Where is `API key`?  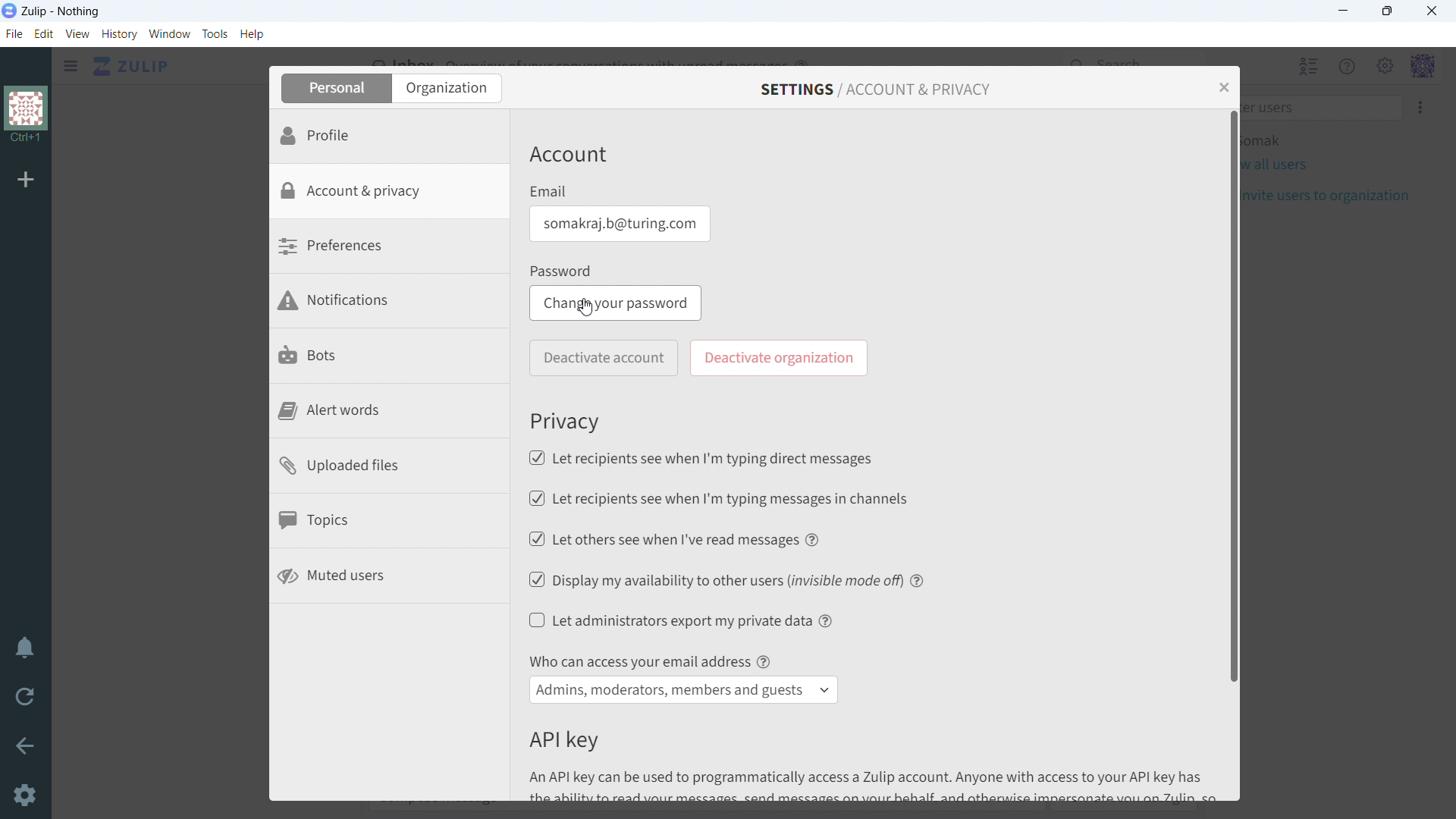 API key is located at coordinates (563, 740).